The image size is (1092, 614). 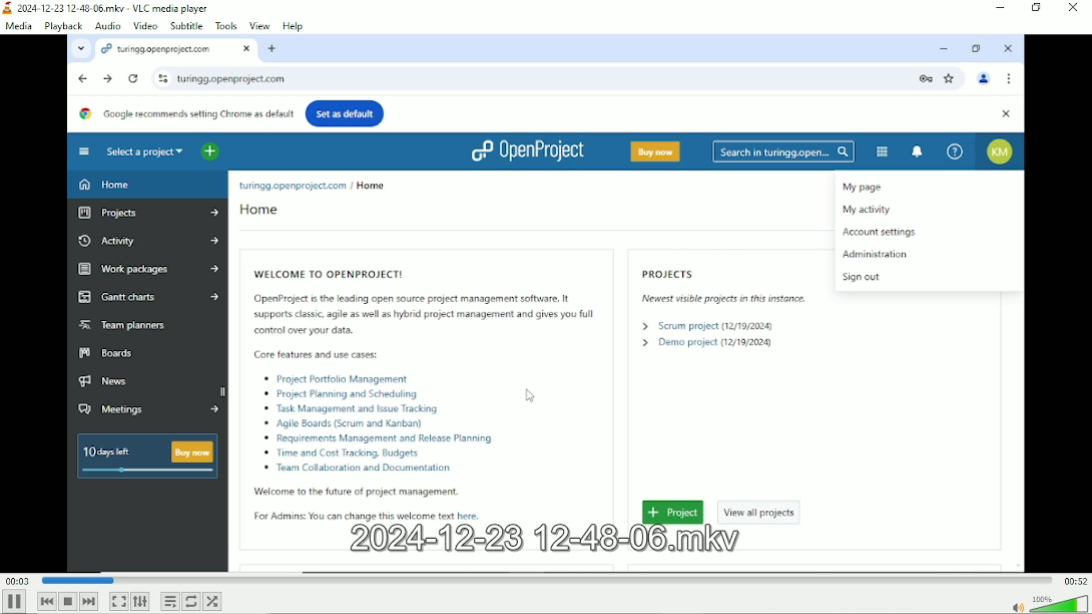 What do you see at coordinates (191, 602) in the screenshot?
I see `Toggle between loop all, loop one and no loop` at bounding box center [191, 602].